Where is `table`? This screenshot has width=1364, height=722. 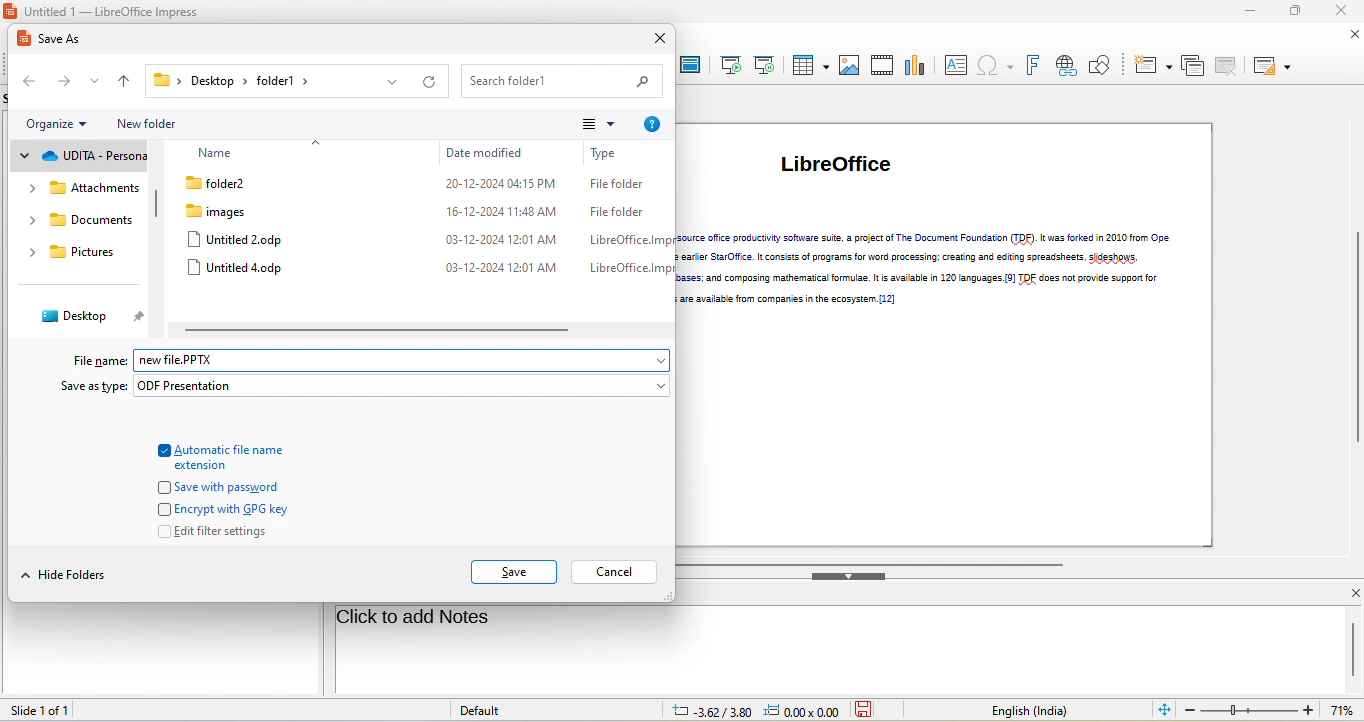
table is located at coordinates (809, 67).